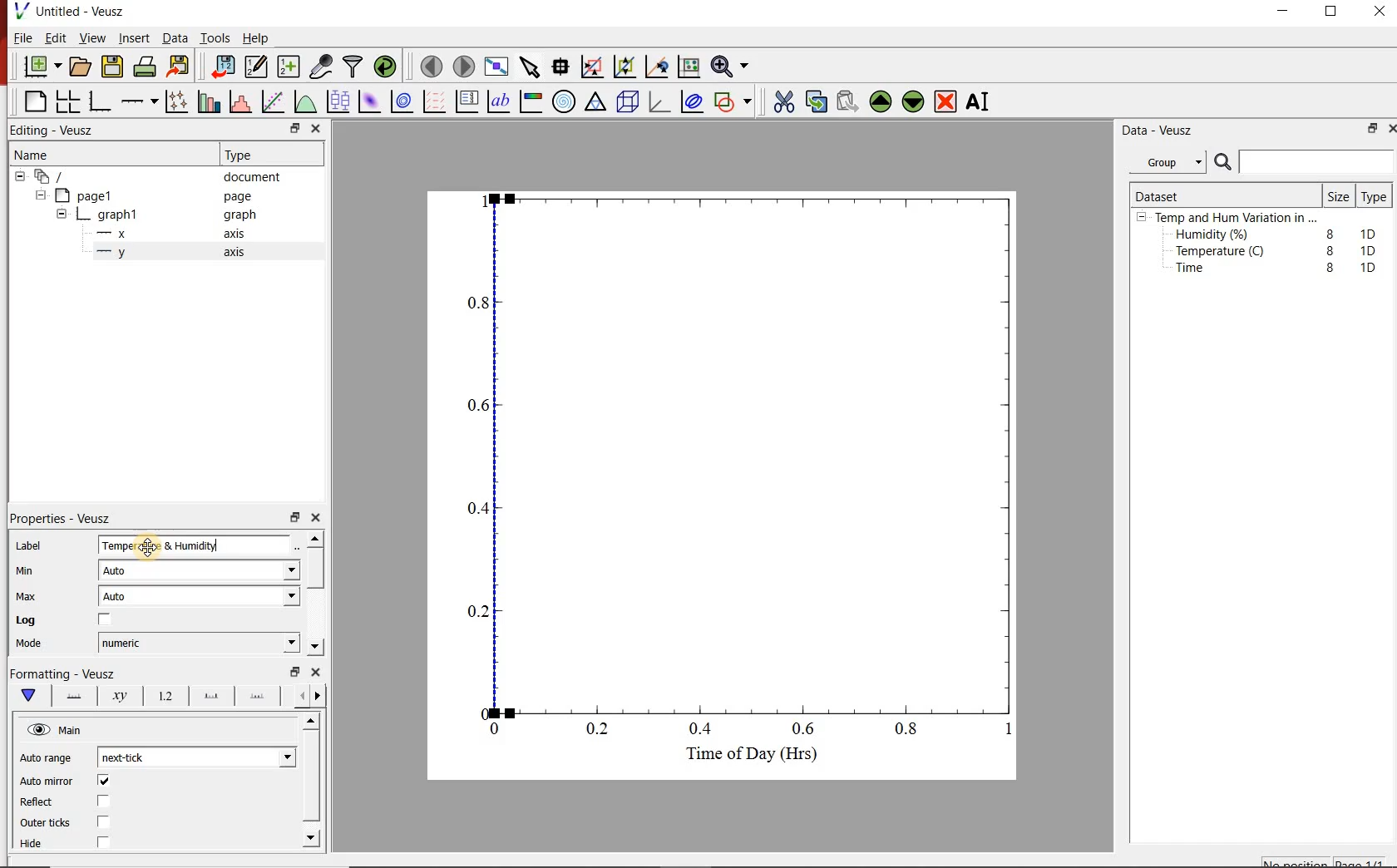 Image resolution: width=1397 pixels, height=868 pixels. What do you see at coordinates (67, 782) in the screenshot?
I see `Auto mirror` at bounding box center [67, 782].